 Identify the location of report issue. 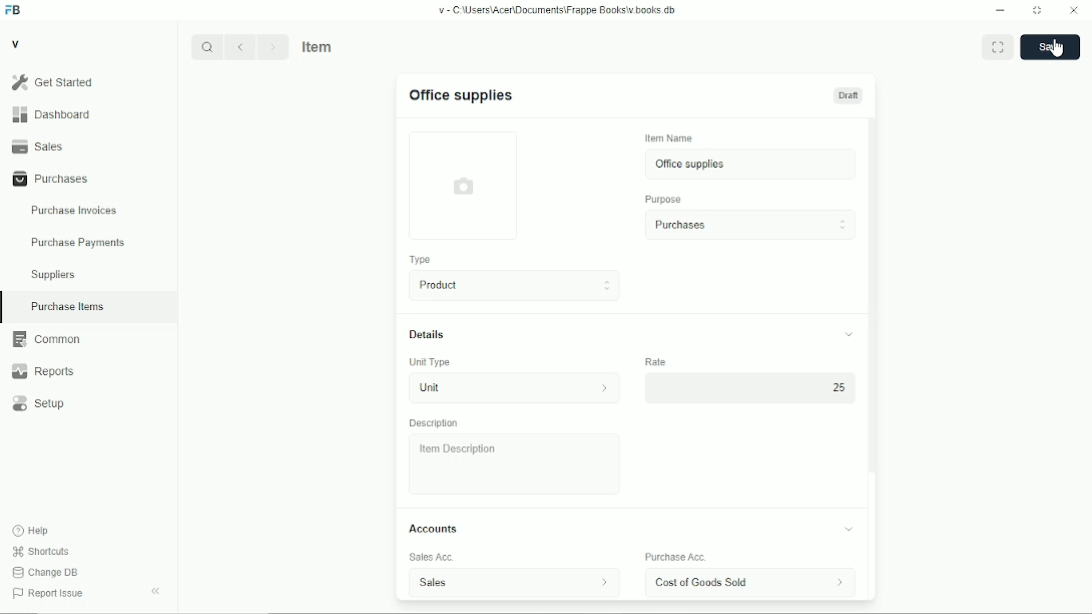
(48, 593).